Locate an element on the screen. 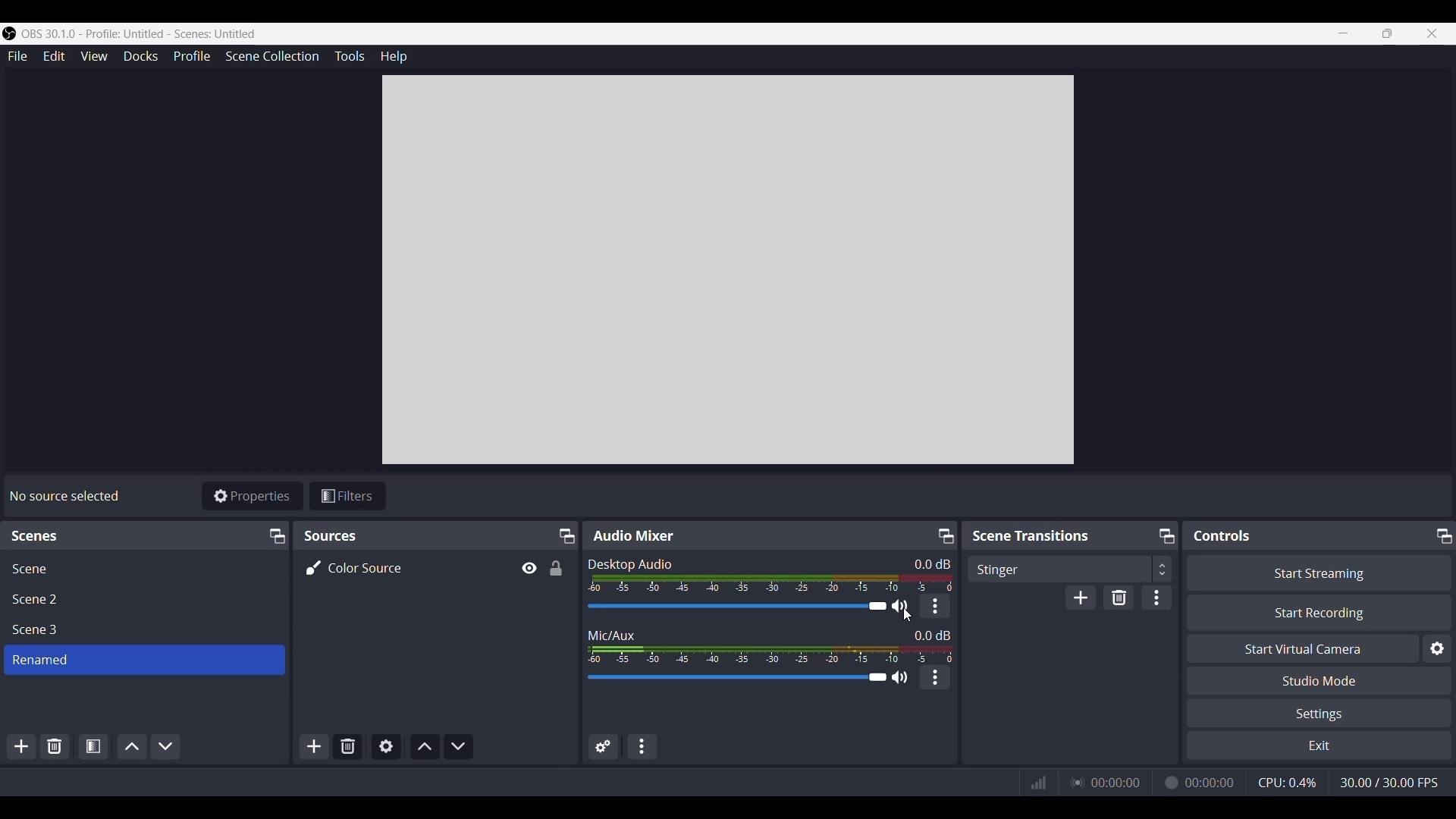  Audio mixer menu is located at coordinates (642, 747).